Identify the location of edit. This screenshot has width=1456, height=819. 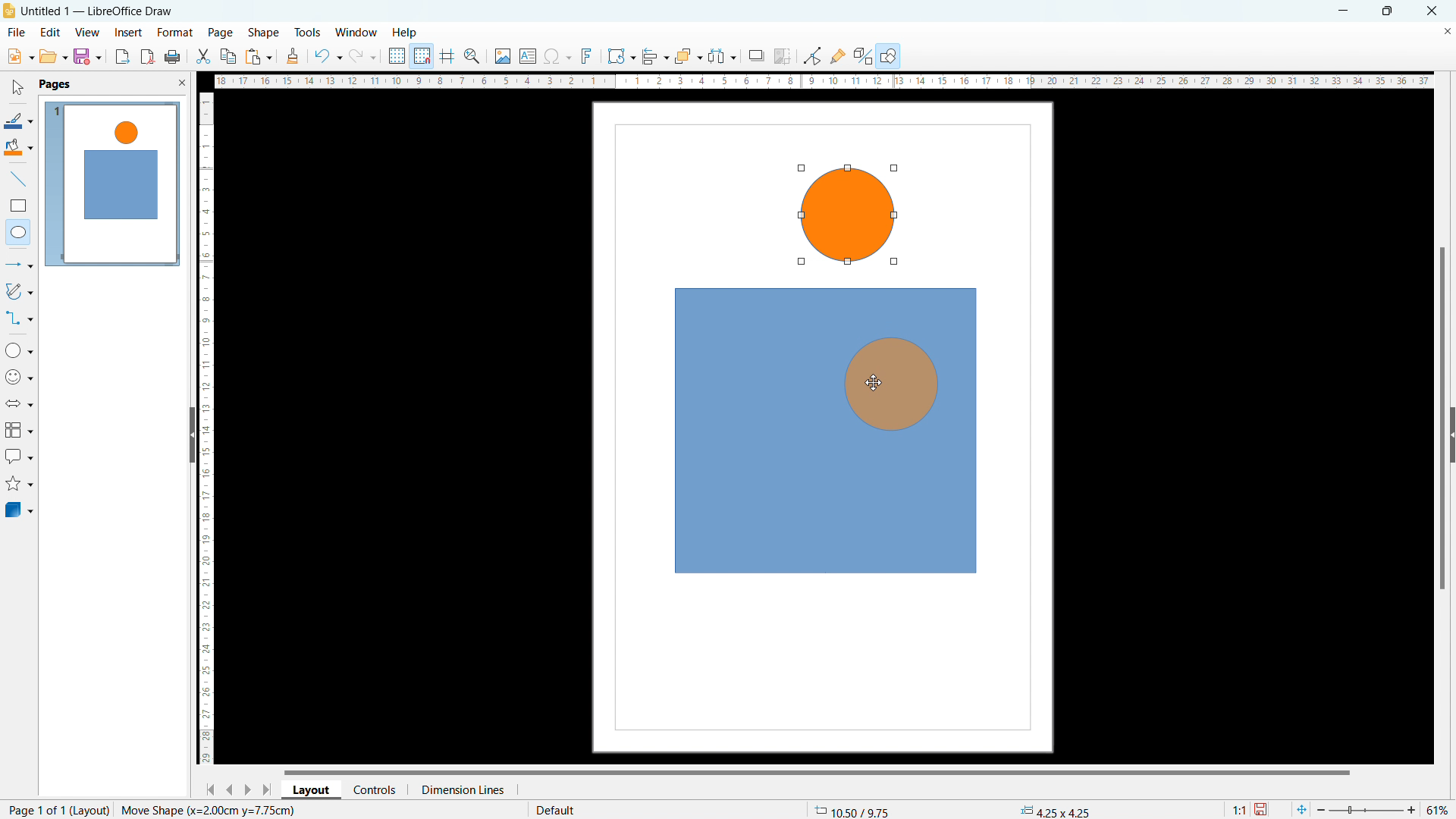
(51, 31).